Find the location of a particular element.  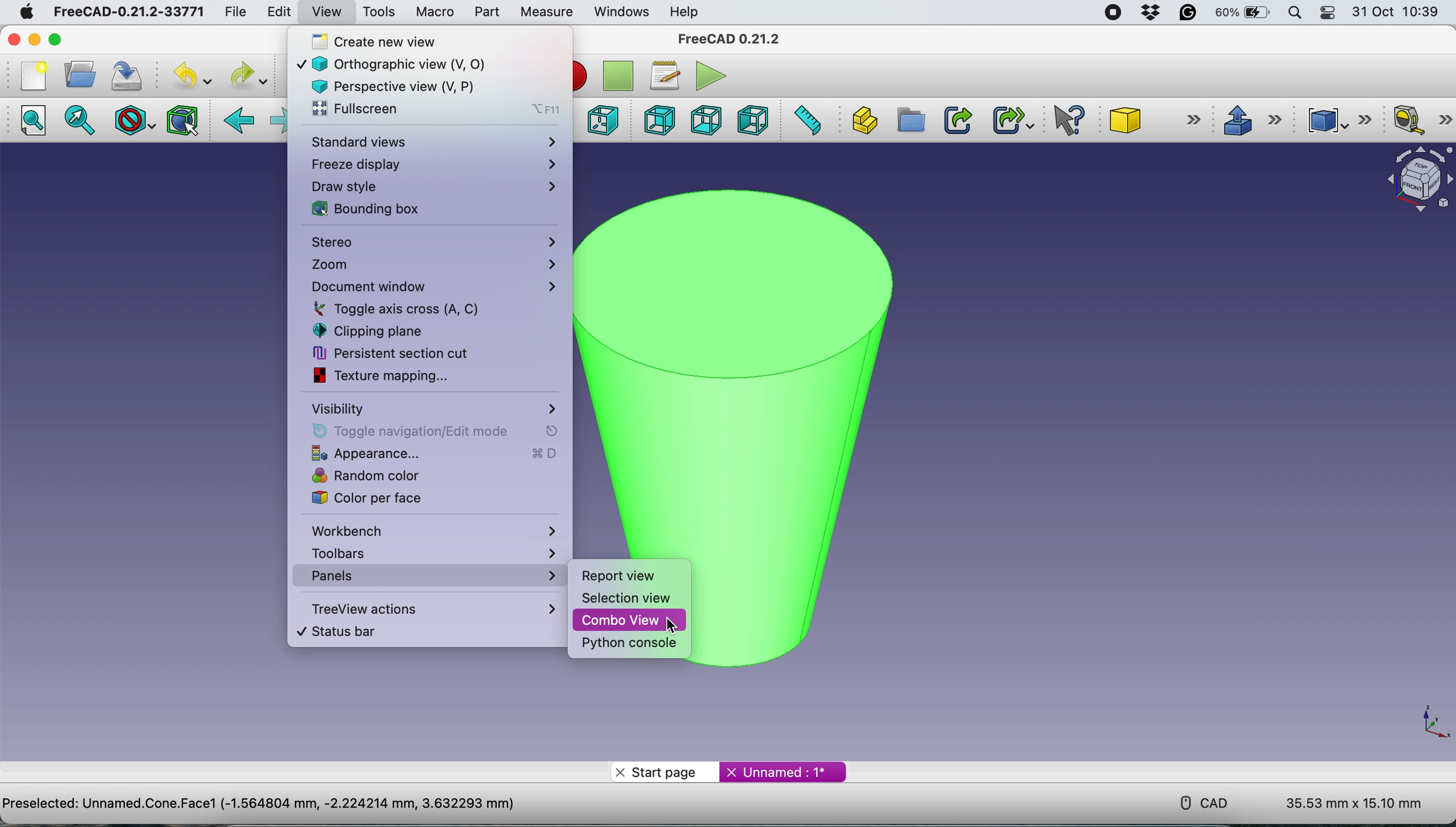

treeview actions  is located at coordinates (430, 608).